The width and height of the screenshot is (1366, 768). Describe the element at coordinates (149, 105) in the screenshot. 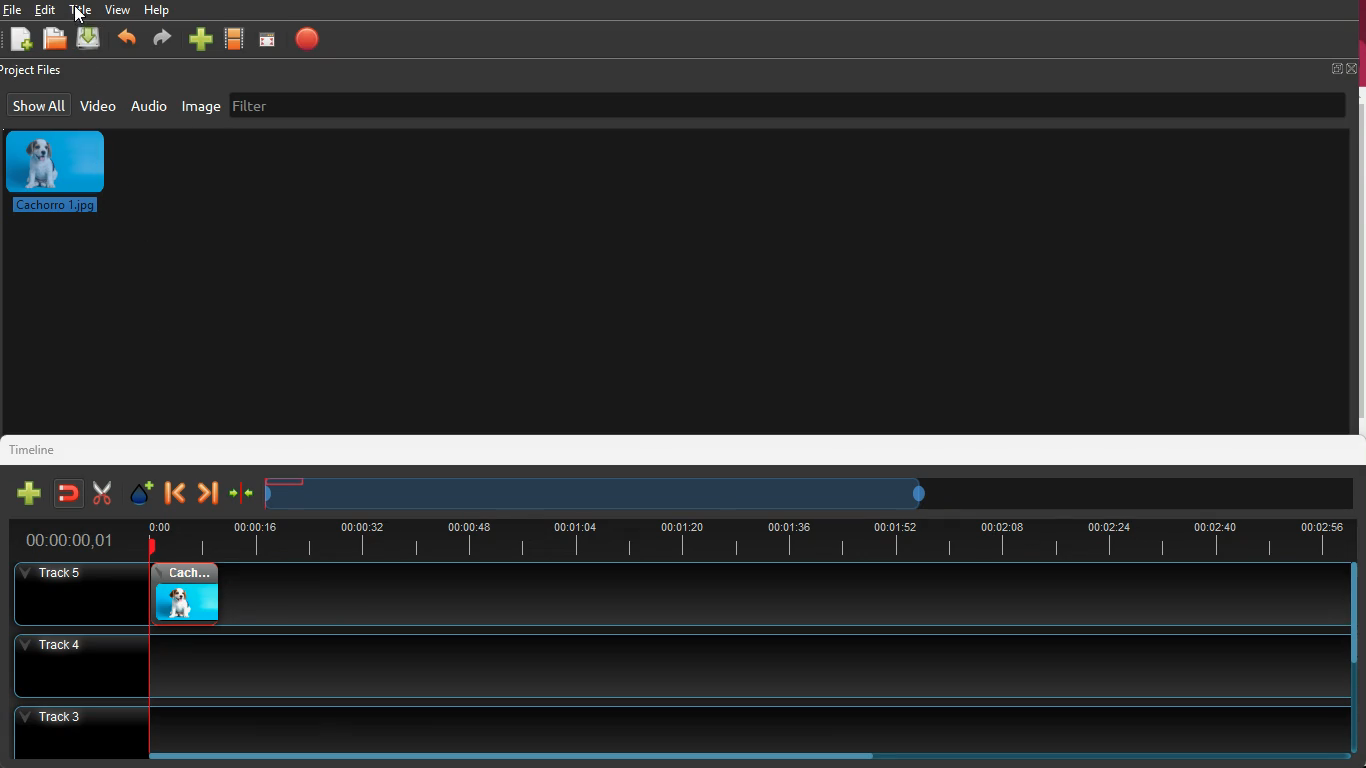

I see `audio` at that location.